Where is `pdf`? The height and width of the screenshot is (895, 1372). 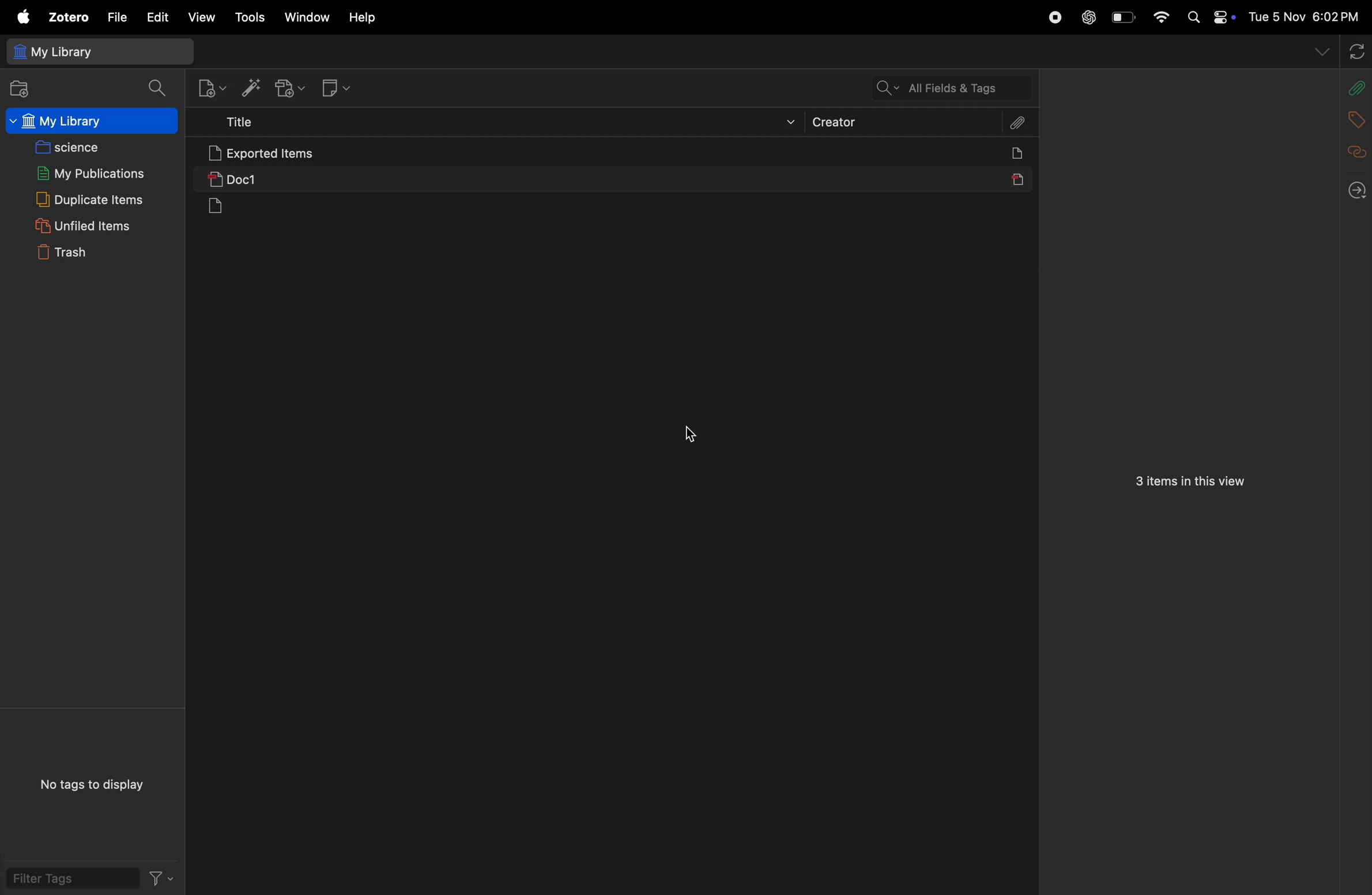 pdf is located at coordinates (1018, 177).